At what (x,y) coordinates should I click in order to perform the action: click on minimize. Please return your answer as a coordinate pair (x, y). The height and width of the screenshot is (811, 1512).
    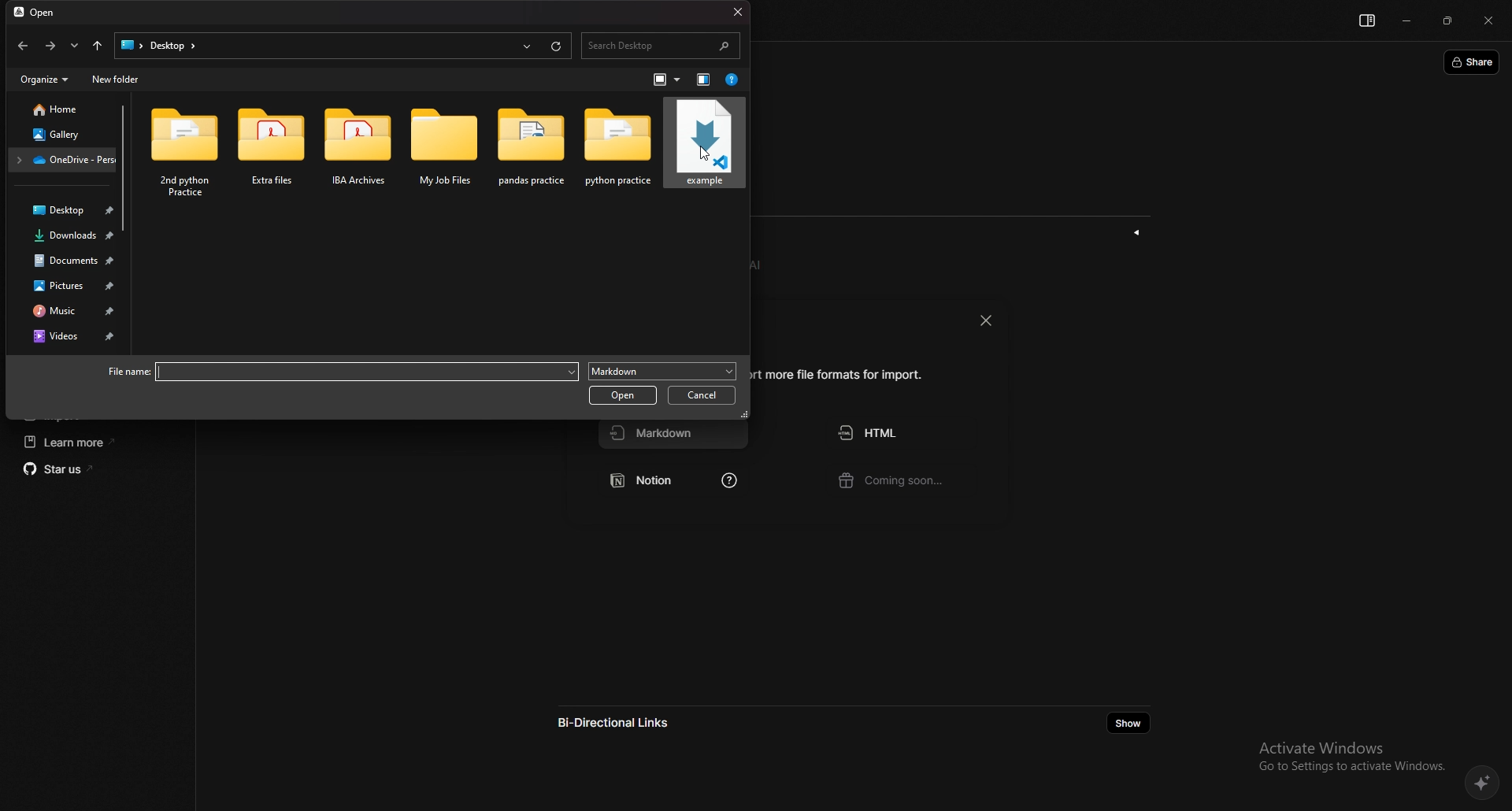
    Looking at the image, I should click on (1406, 20).